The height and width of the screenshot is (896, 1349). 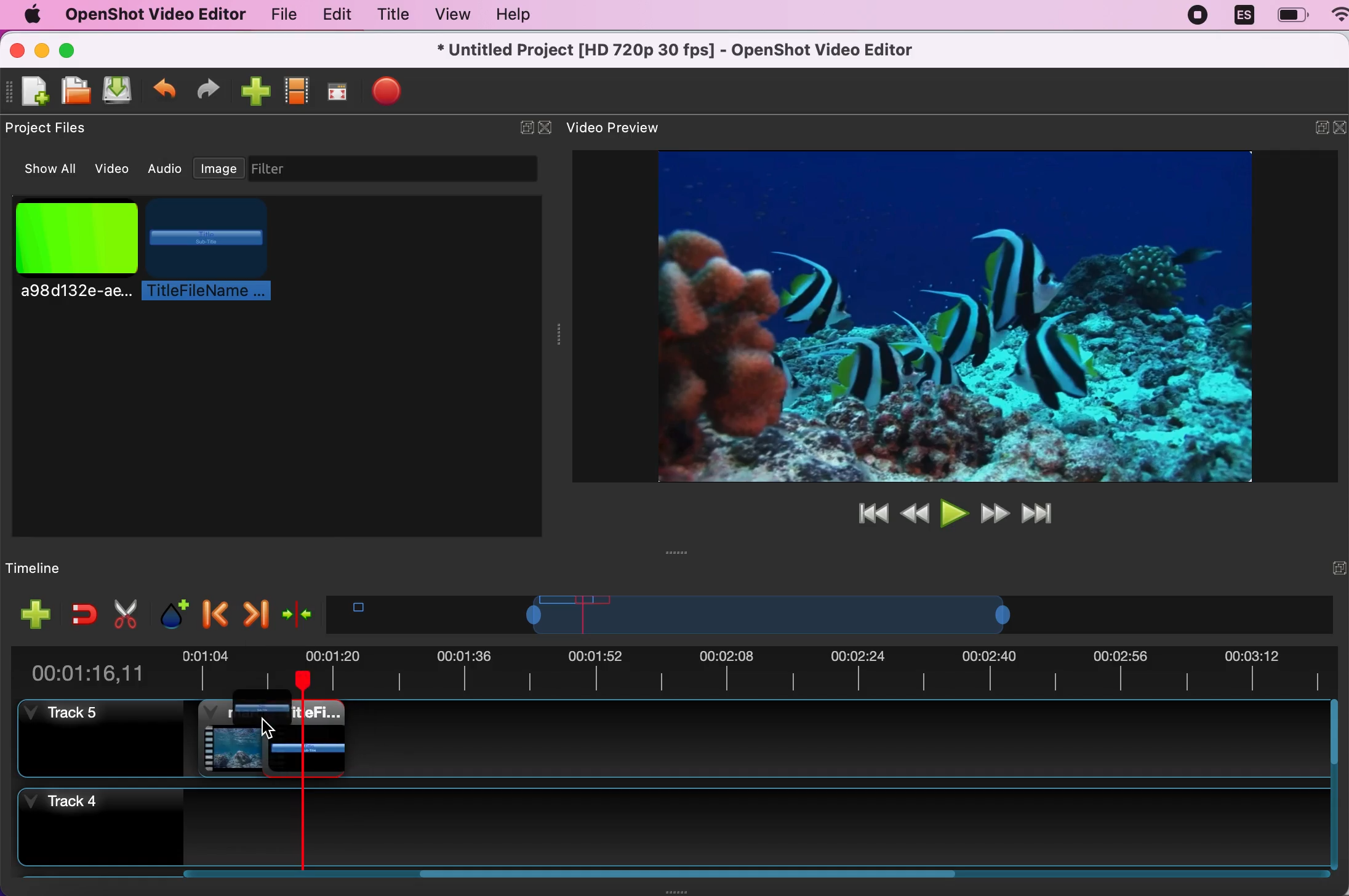 What do you see at coordinates (517, 122) in the screenshot?
I see `hide/expand` at bounding box center [517, 122].